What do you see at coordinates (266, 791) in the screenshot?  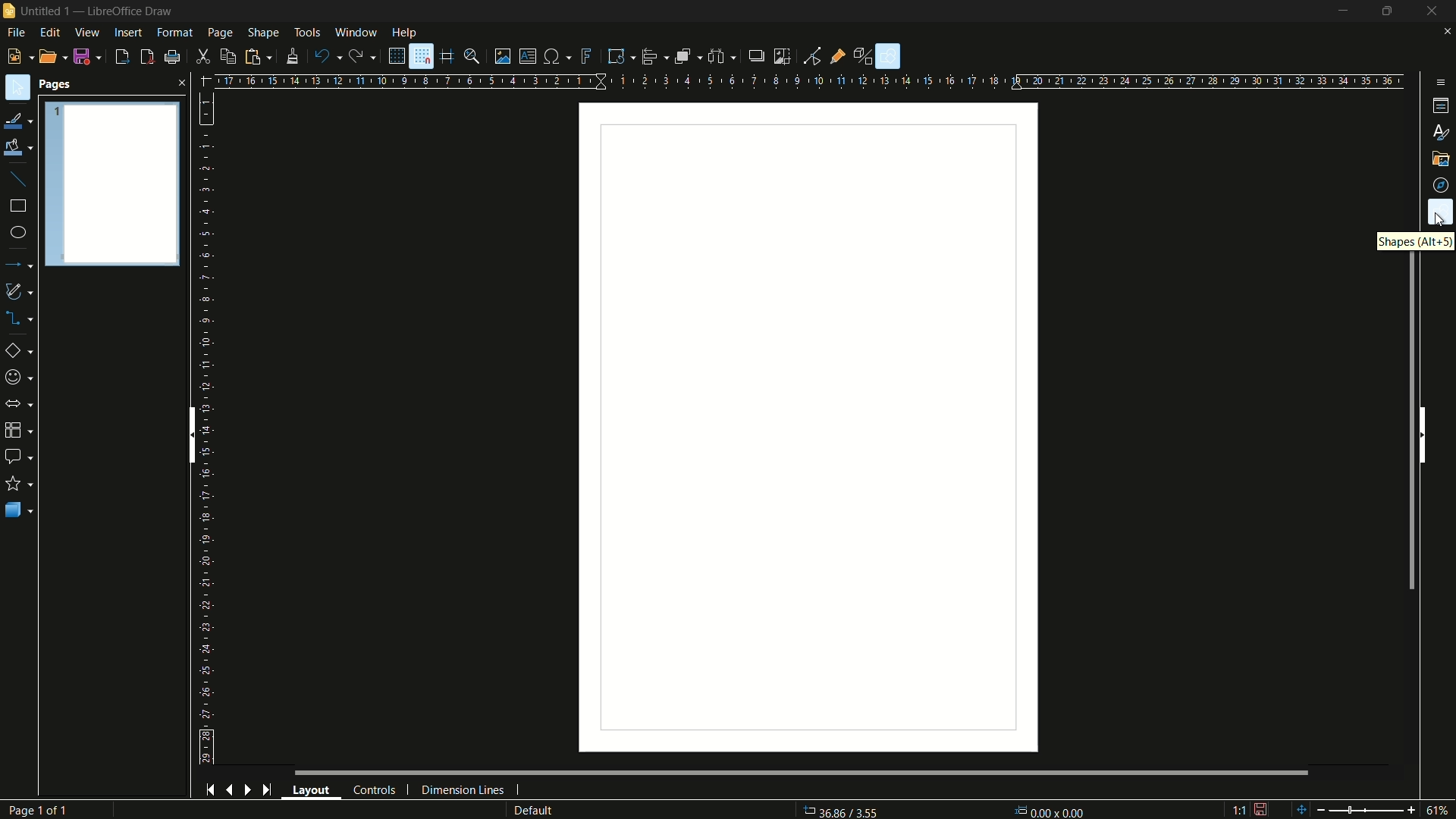 I see `end page` at bounding box center [266, 791].